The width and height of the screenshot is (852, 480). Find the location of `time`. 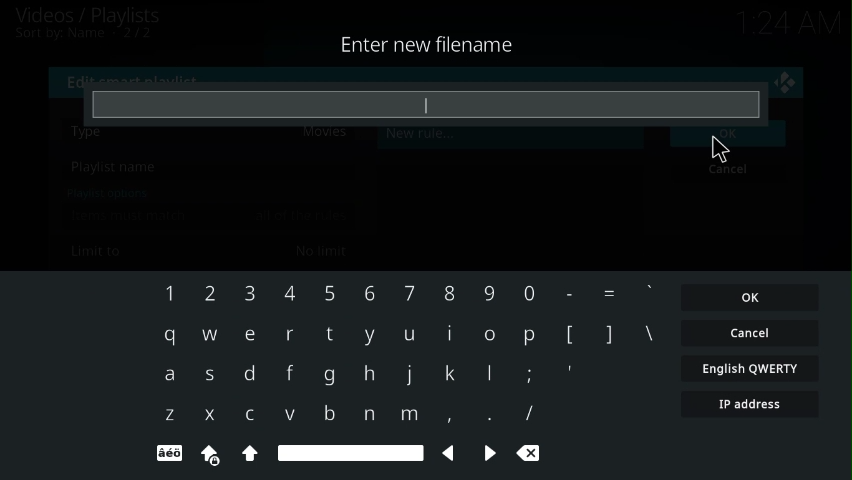

time is located at coordinates (792, 20).